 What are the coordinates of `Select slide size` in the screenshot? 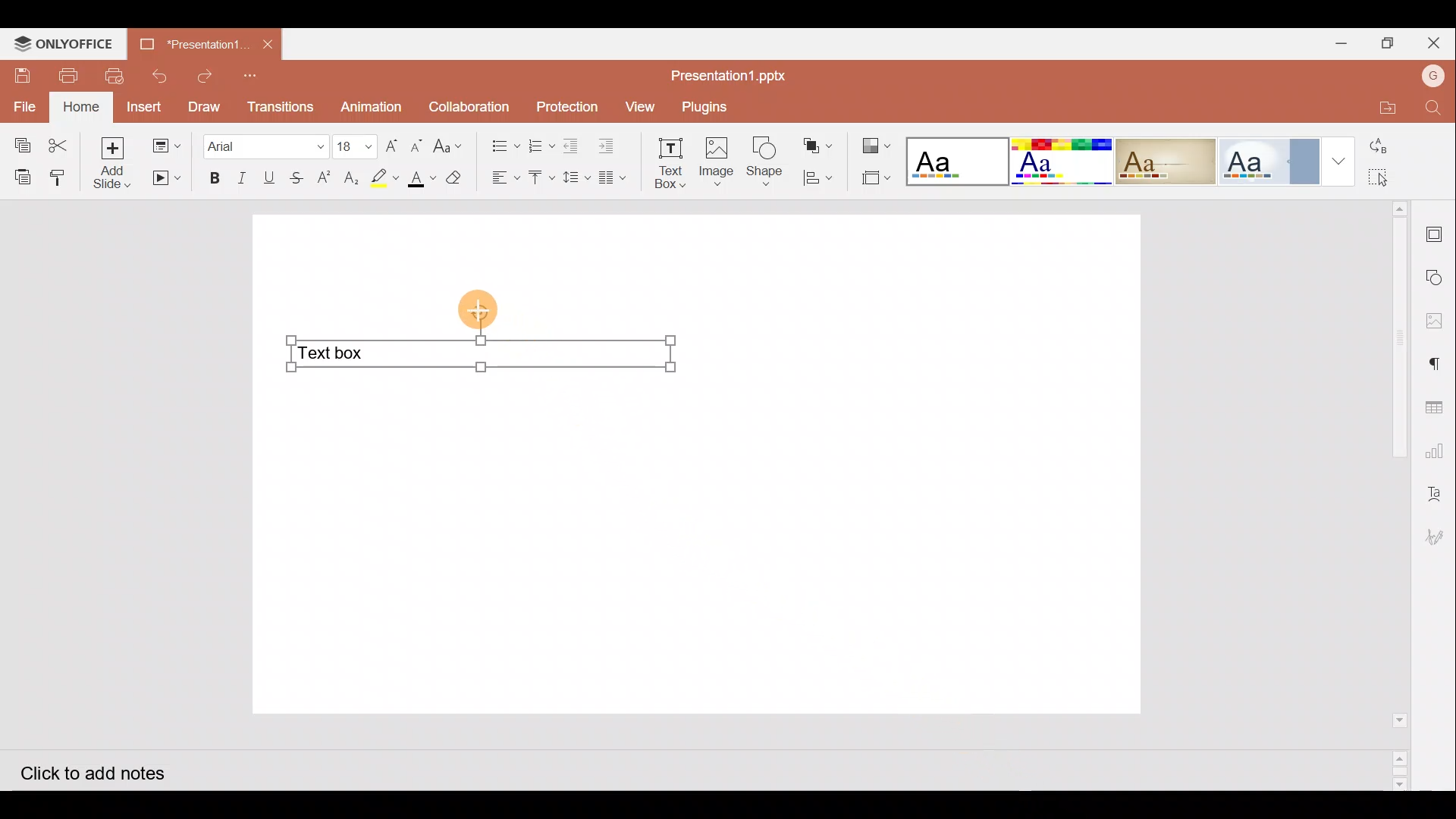 It's located at (870, 180).